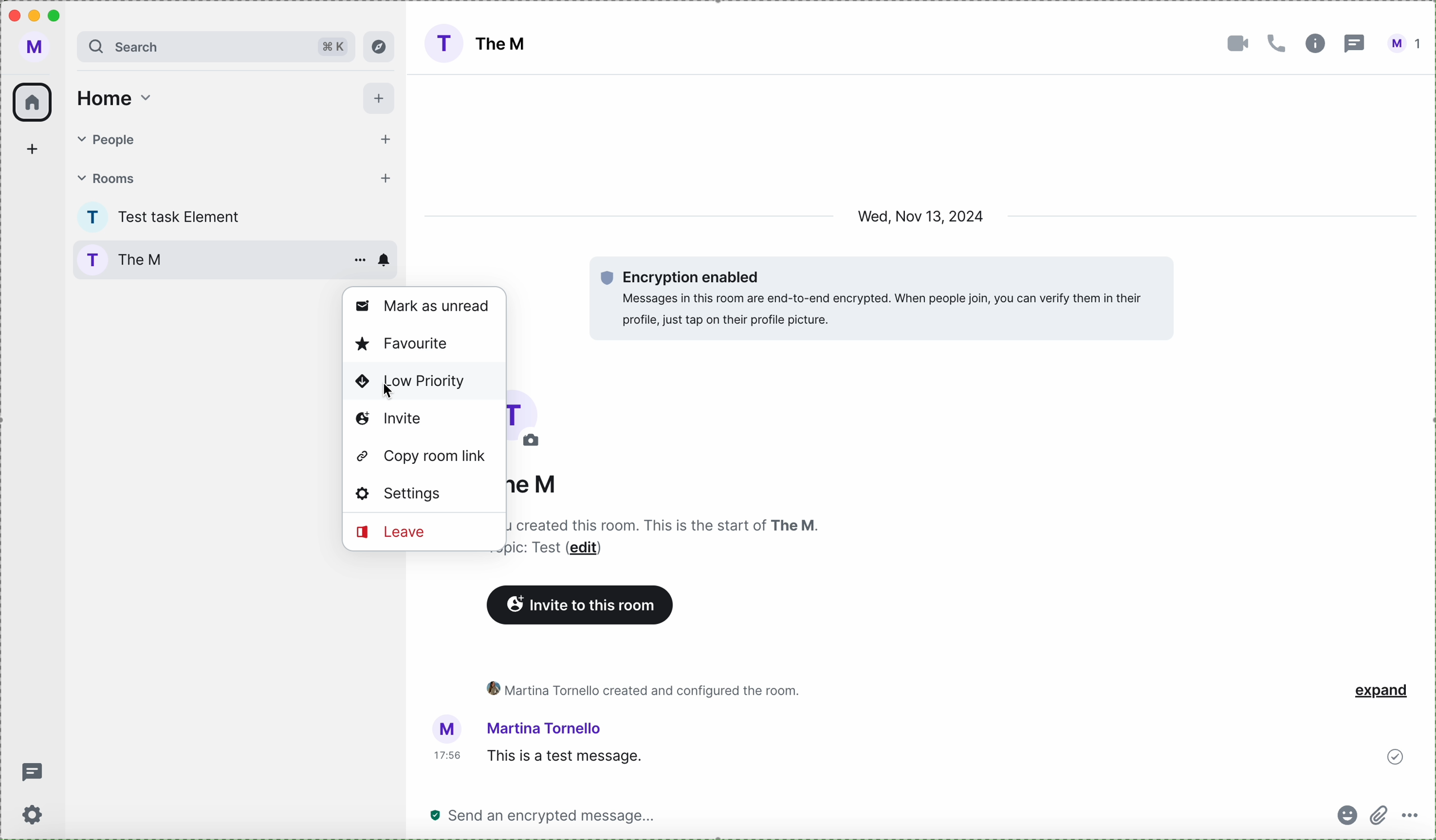 The height and width of the screenshot is (840, 1436). I want to click on this is a test message sended, so click(925, 756).